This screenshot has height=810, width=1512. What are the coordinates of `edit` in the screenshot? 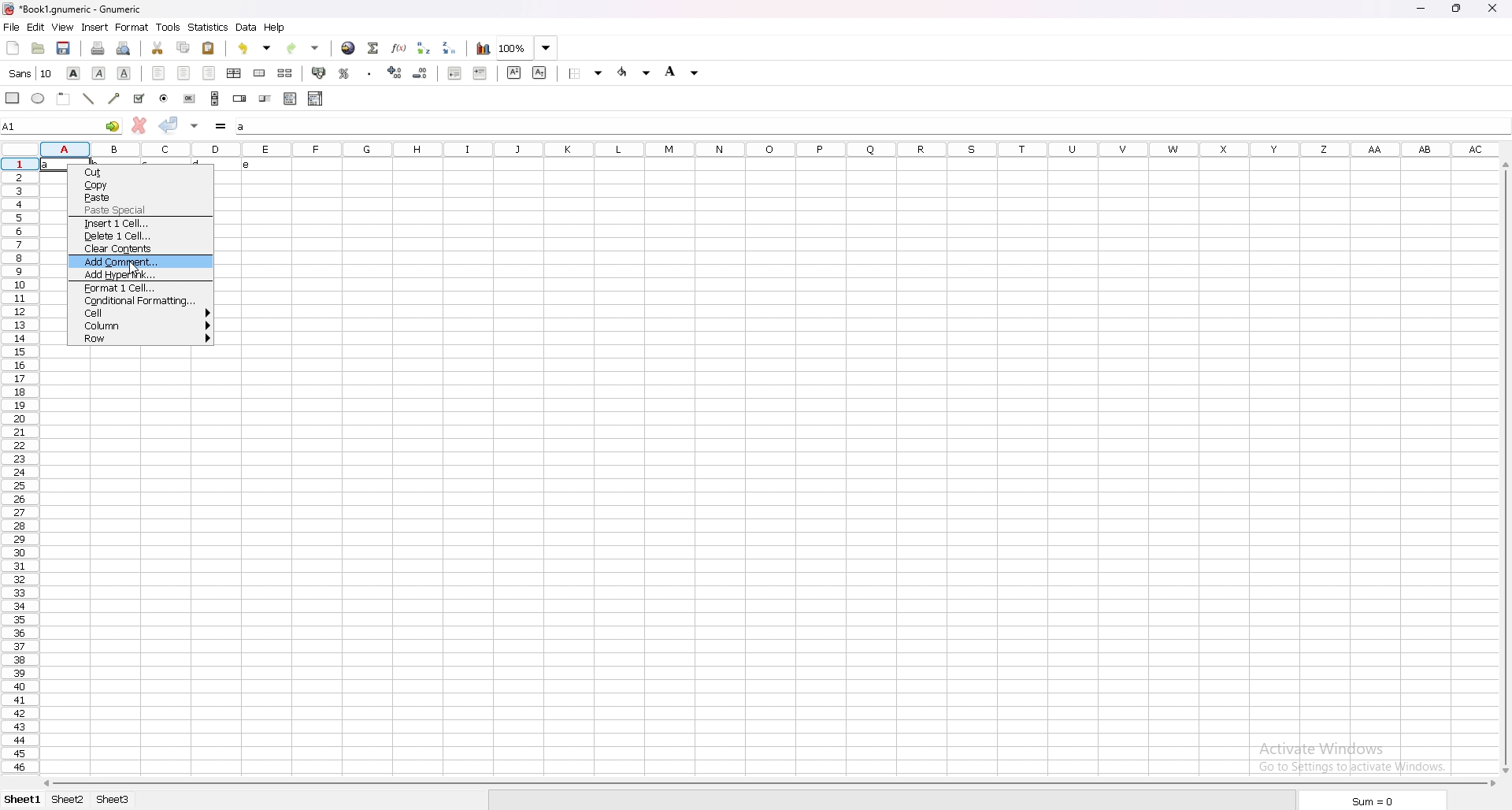 It's located at (35, 27).